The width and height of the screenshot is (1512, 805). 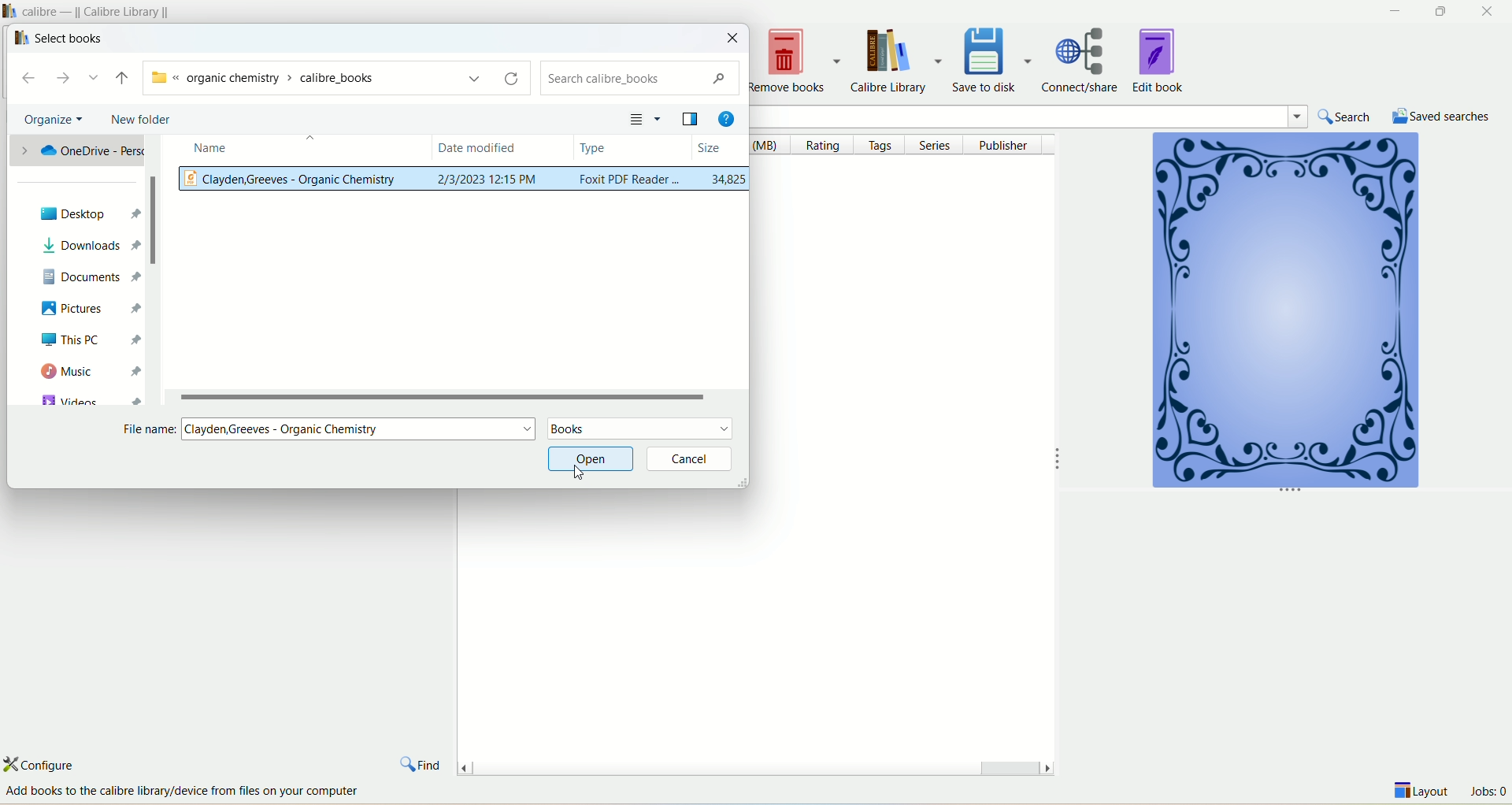 I want to click on downloads, so click(x=83, y=246).